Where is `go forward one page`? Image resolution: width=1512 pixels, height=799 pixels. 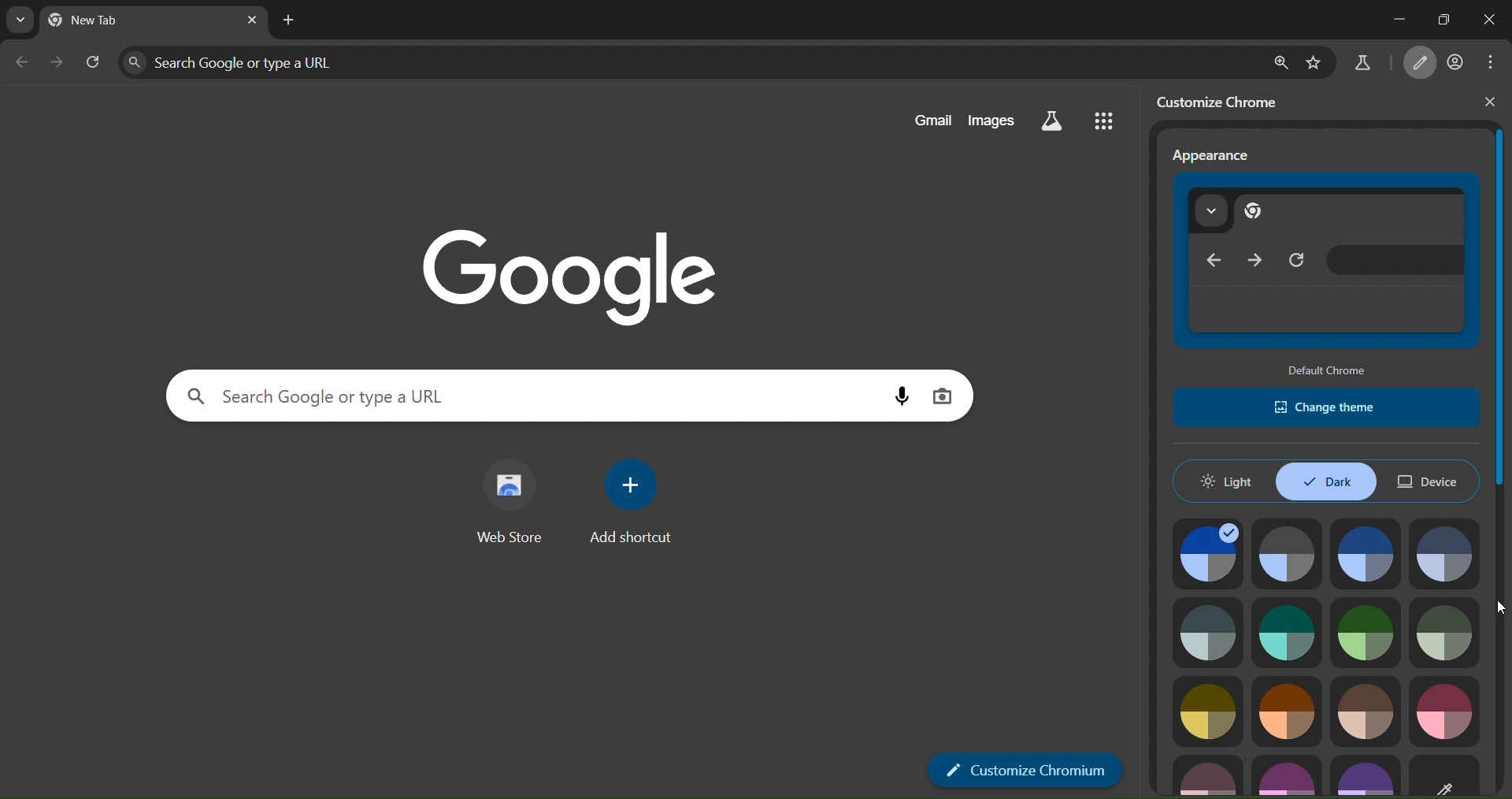
go forward one page is located at coordinates (58, 64).